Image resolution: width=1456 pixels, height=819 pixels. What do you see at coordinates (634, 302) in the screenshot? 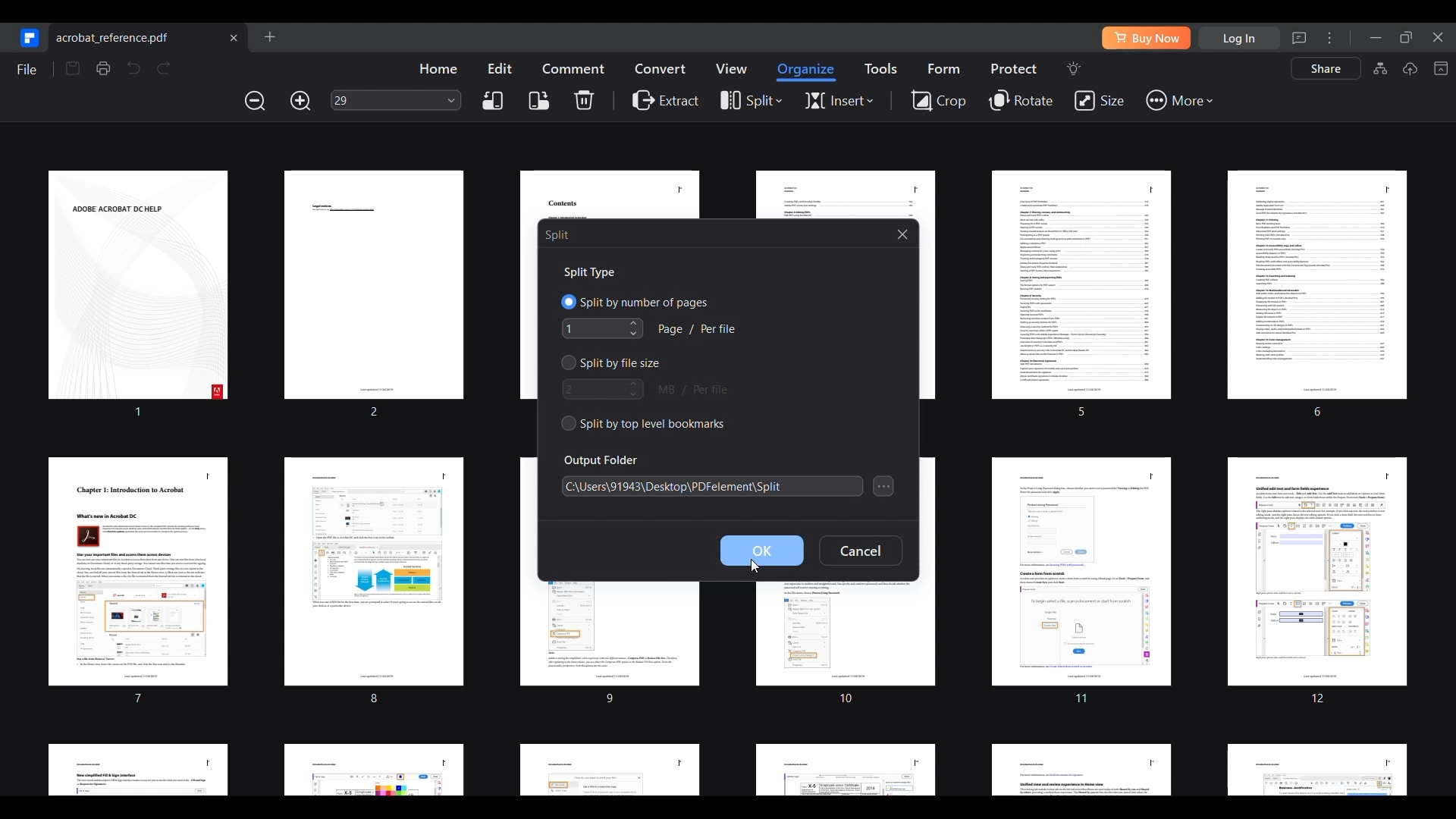
I see `Split PDF by number of specified pages` at bounding box center [634, 302].